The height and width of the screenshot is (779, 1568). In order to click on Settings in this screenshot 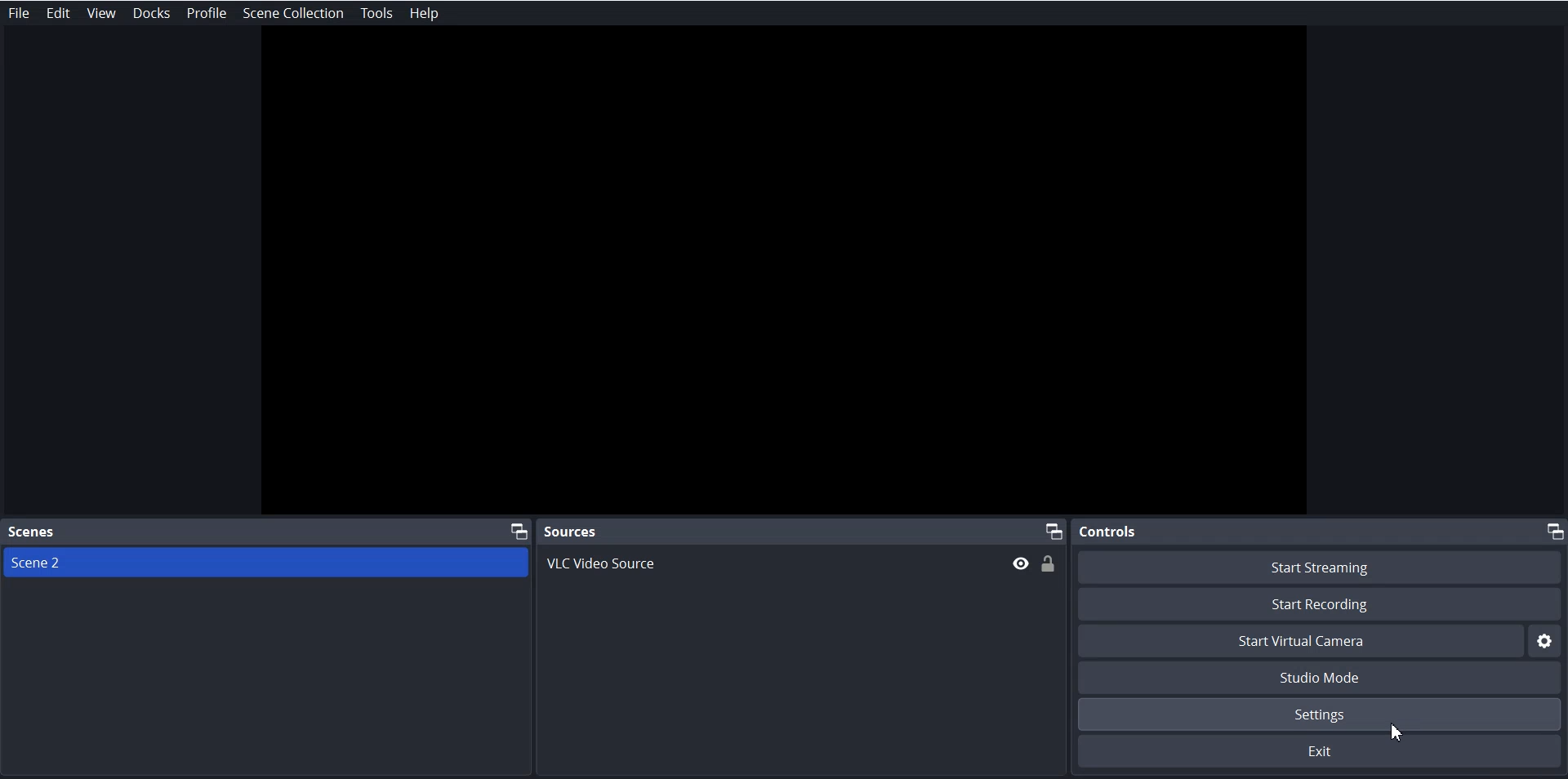, I will do `click(1547, 640)`.